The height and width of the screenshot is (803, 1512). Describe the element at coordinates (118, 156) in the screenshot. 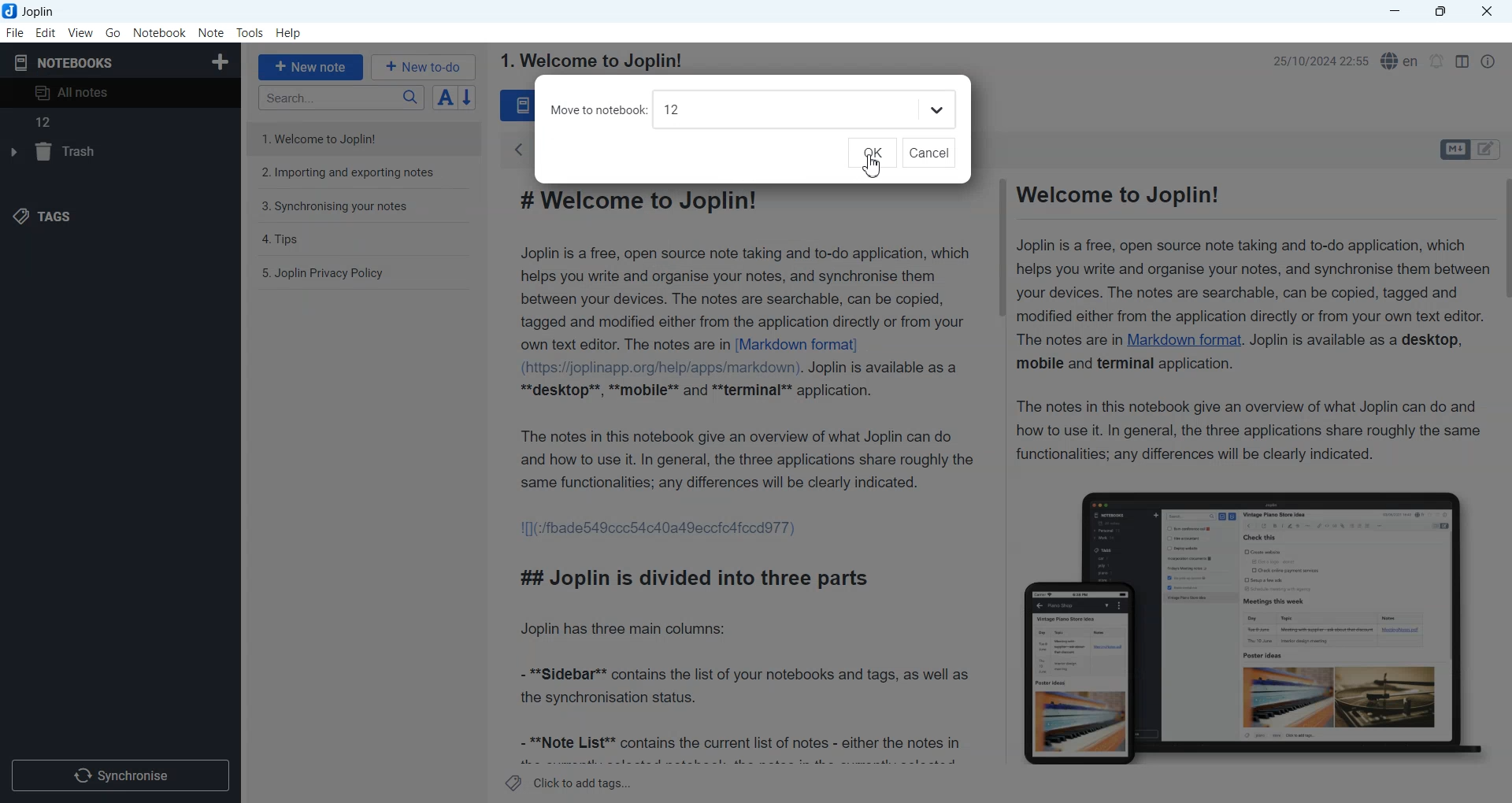

I see `Trash` at that location.